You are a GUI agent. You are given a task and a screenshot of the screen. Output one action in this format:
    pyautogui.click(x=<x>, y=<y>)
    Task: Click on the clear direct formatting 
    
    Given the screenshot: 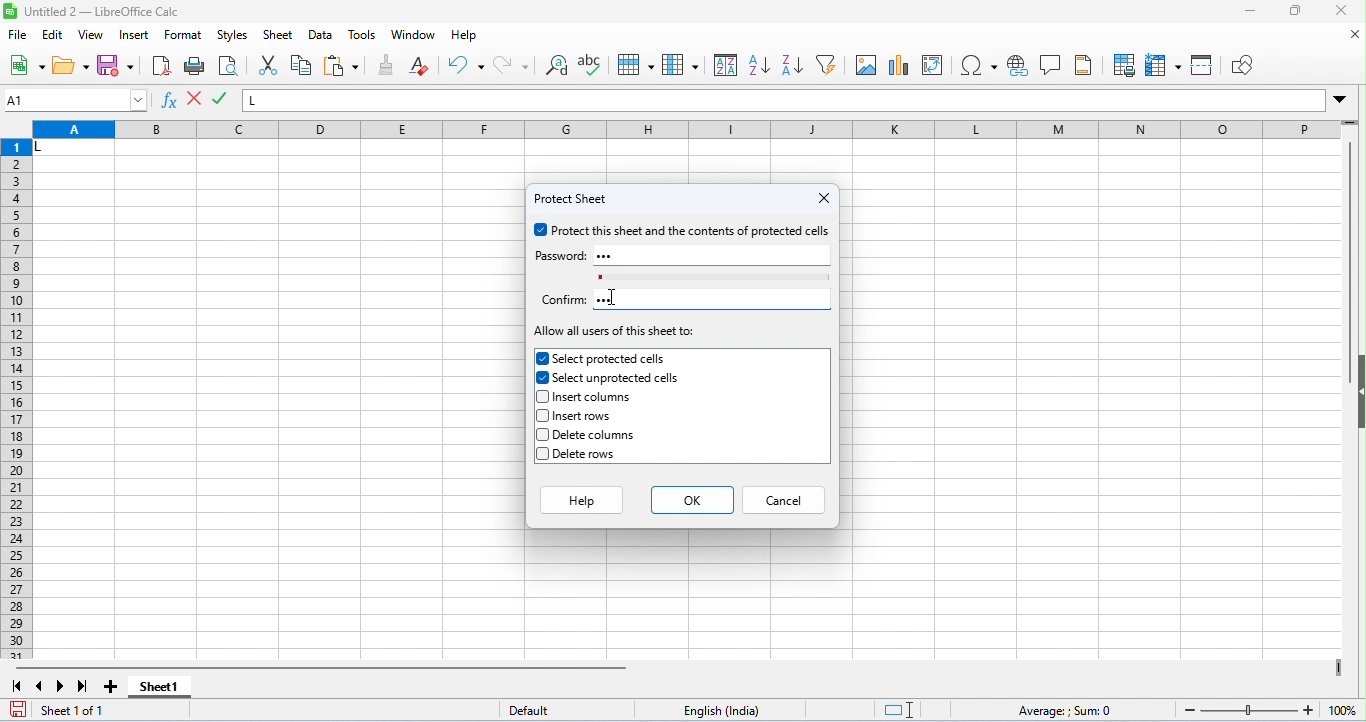 What is the action you would take?
    pyautogui.click(x=419, y=65)
    